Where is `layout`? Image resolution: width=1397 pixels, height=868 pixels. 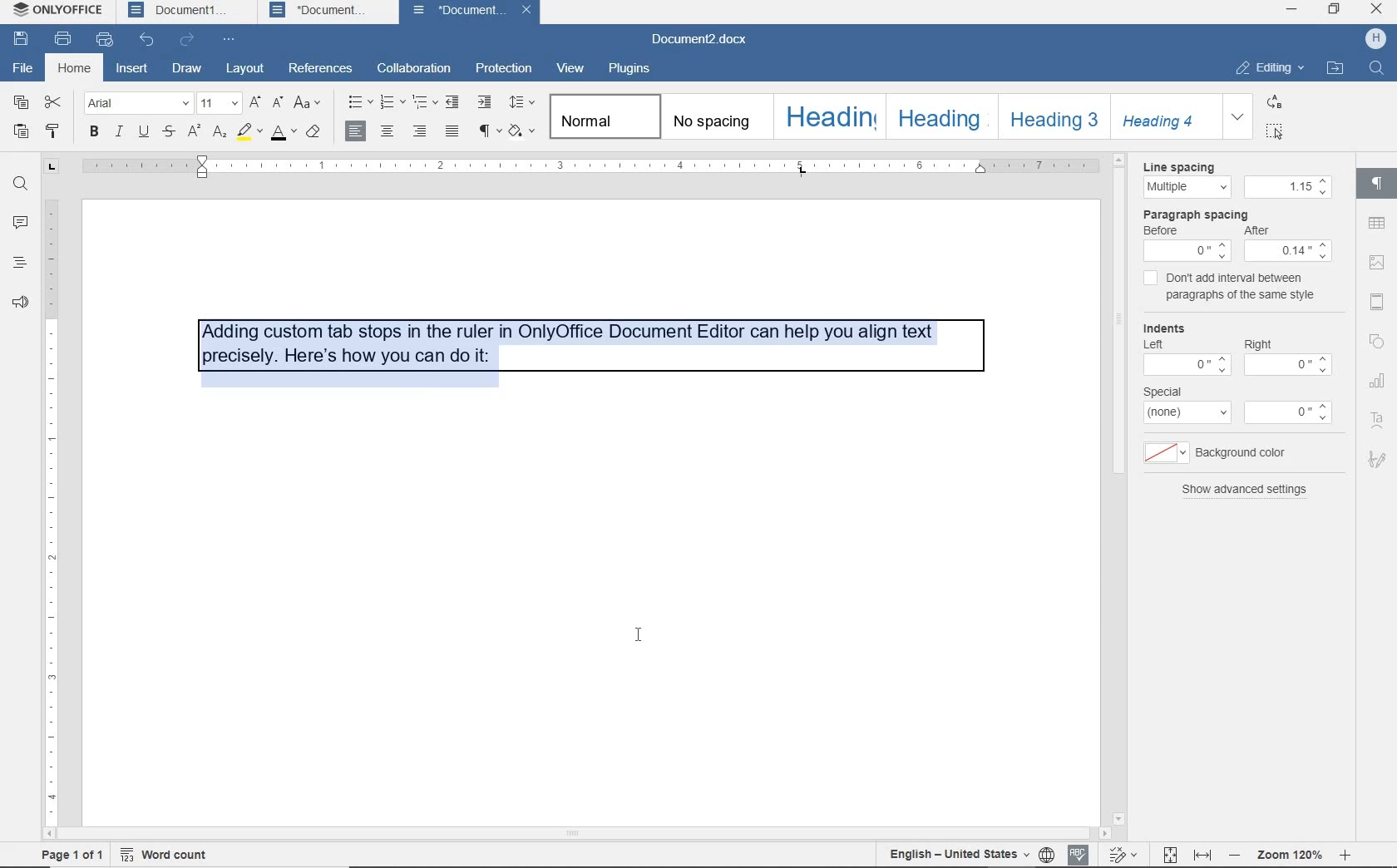 layout is located at coordinates (248, 68).